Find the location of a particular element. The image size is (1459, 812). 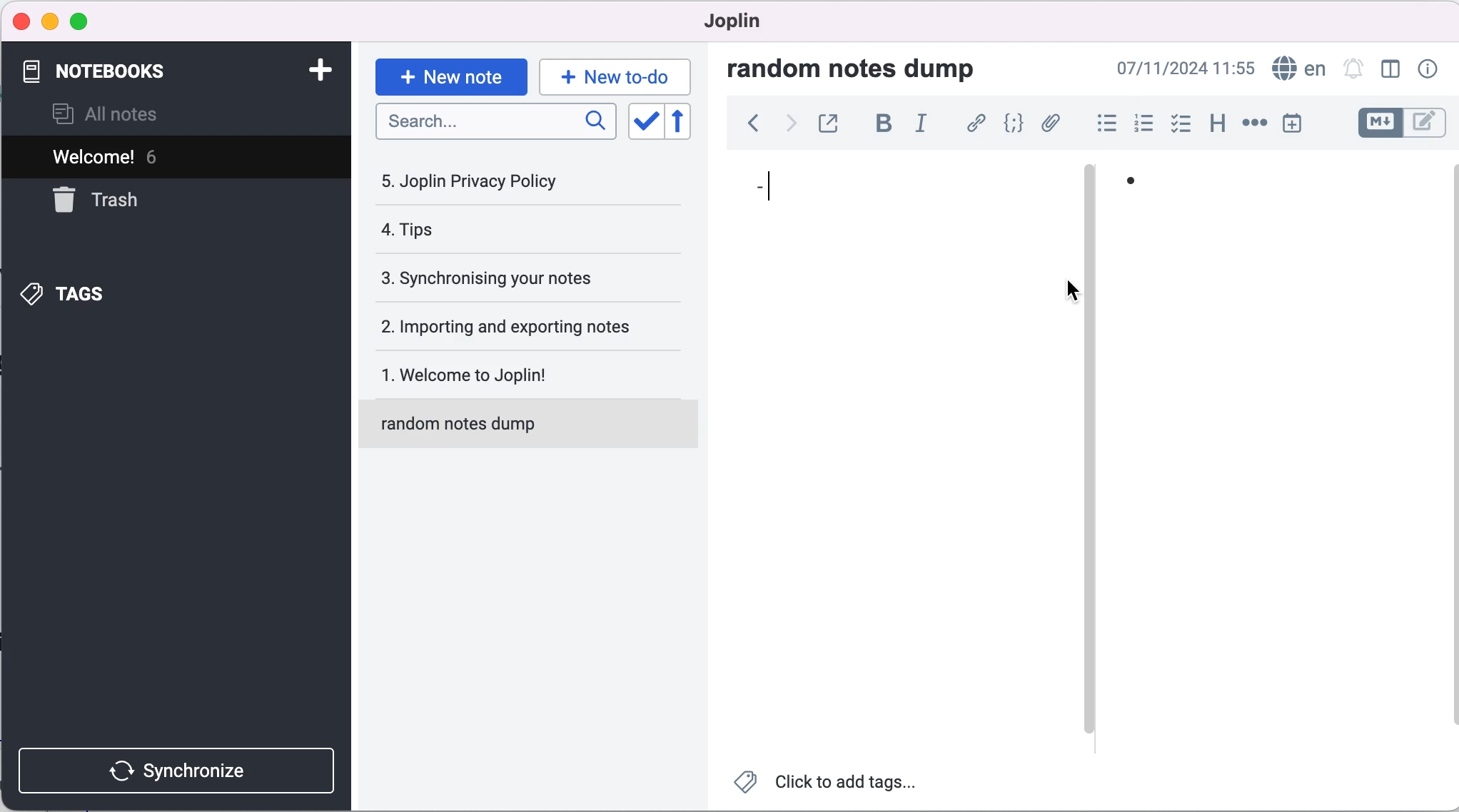

add notebook is located at coordinates (313, 73).